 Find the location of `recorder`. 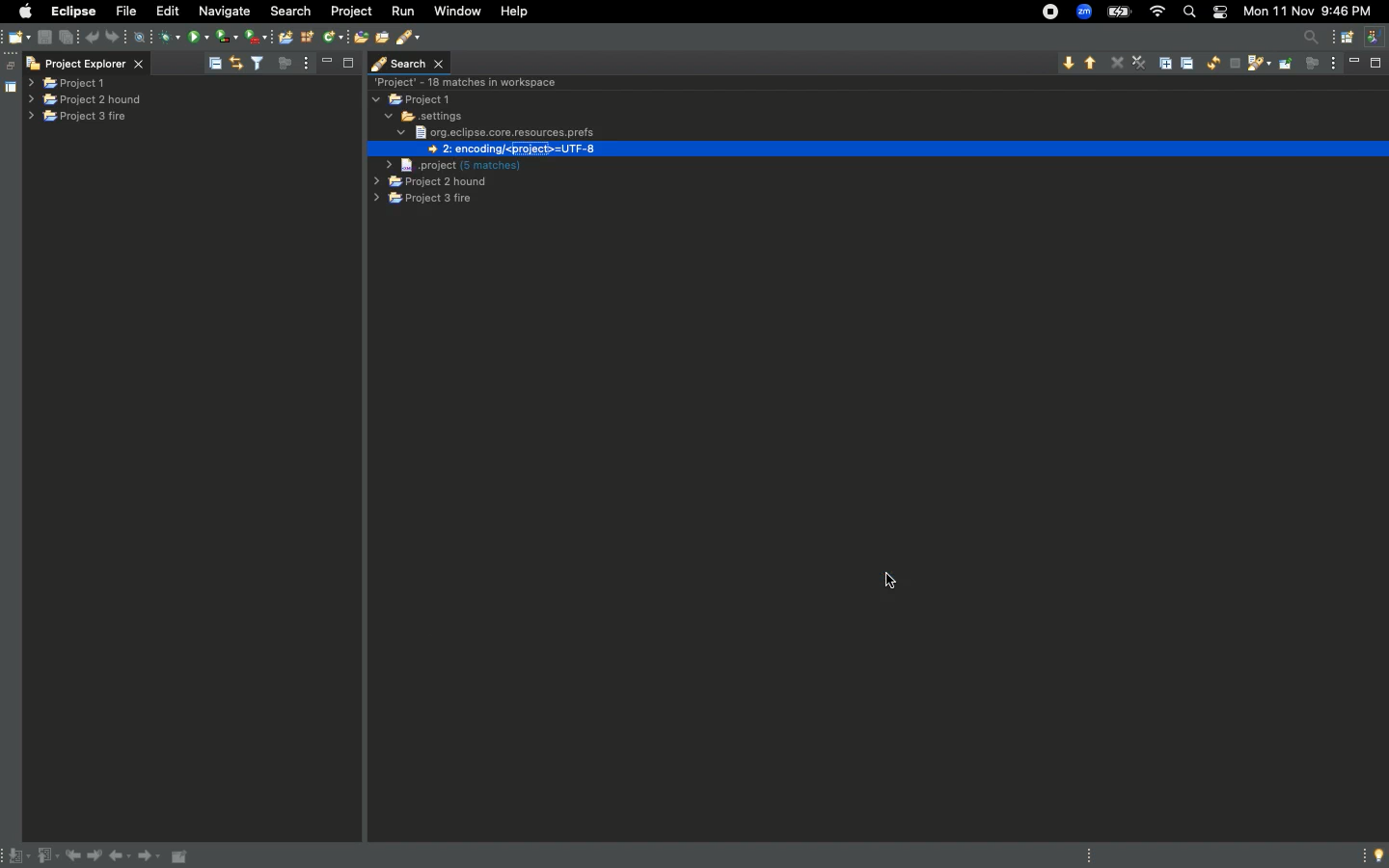

recorder is located at coordinates (1042, 11).